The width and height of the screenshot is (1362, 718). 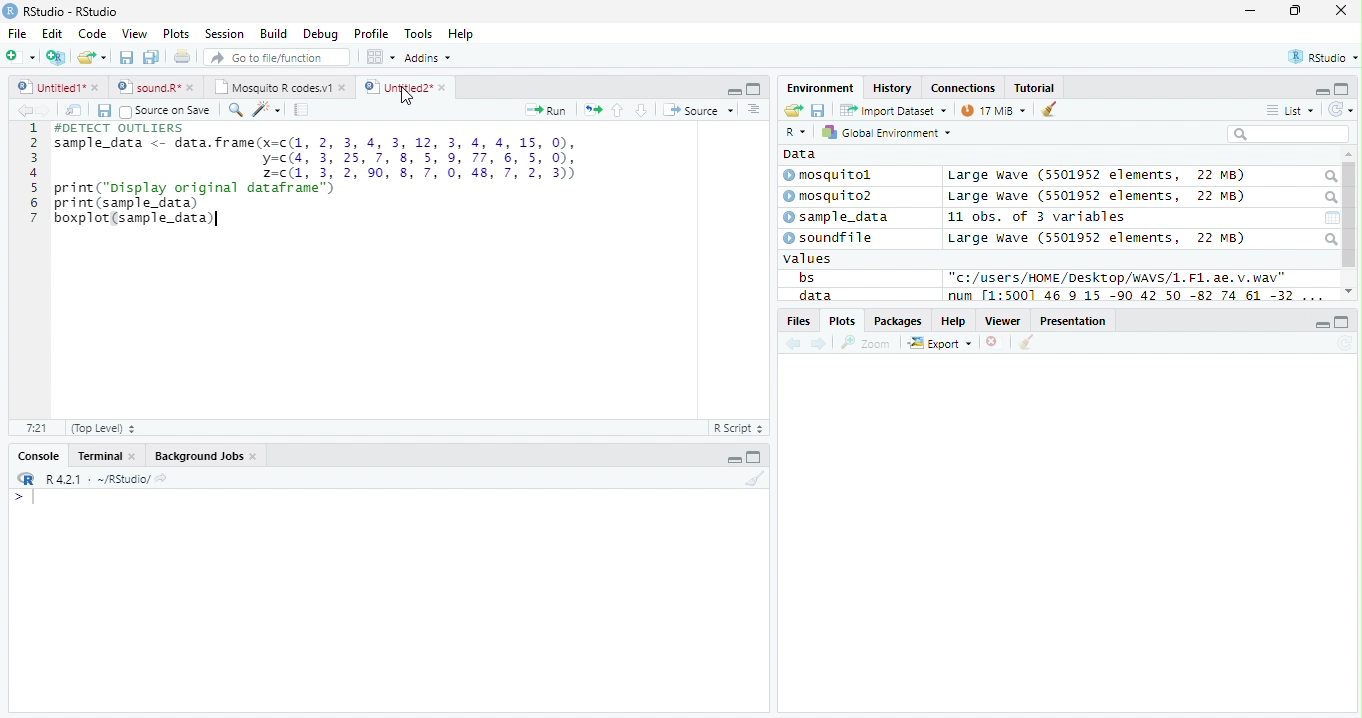 What do you see at coordinates (103, 429) in the screenshot?
I see `(Top Level)` at bounding box center [103, 429].